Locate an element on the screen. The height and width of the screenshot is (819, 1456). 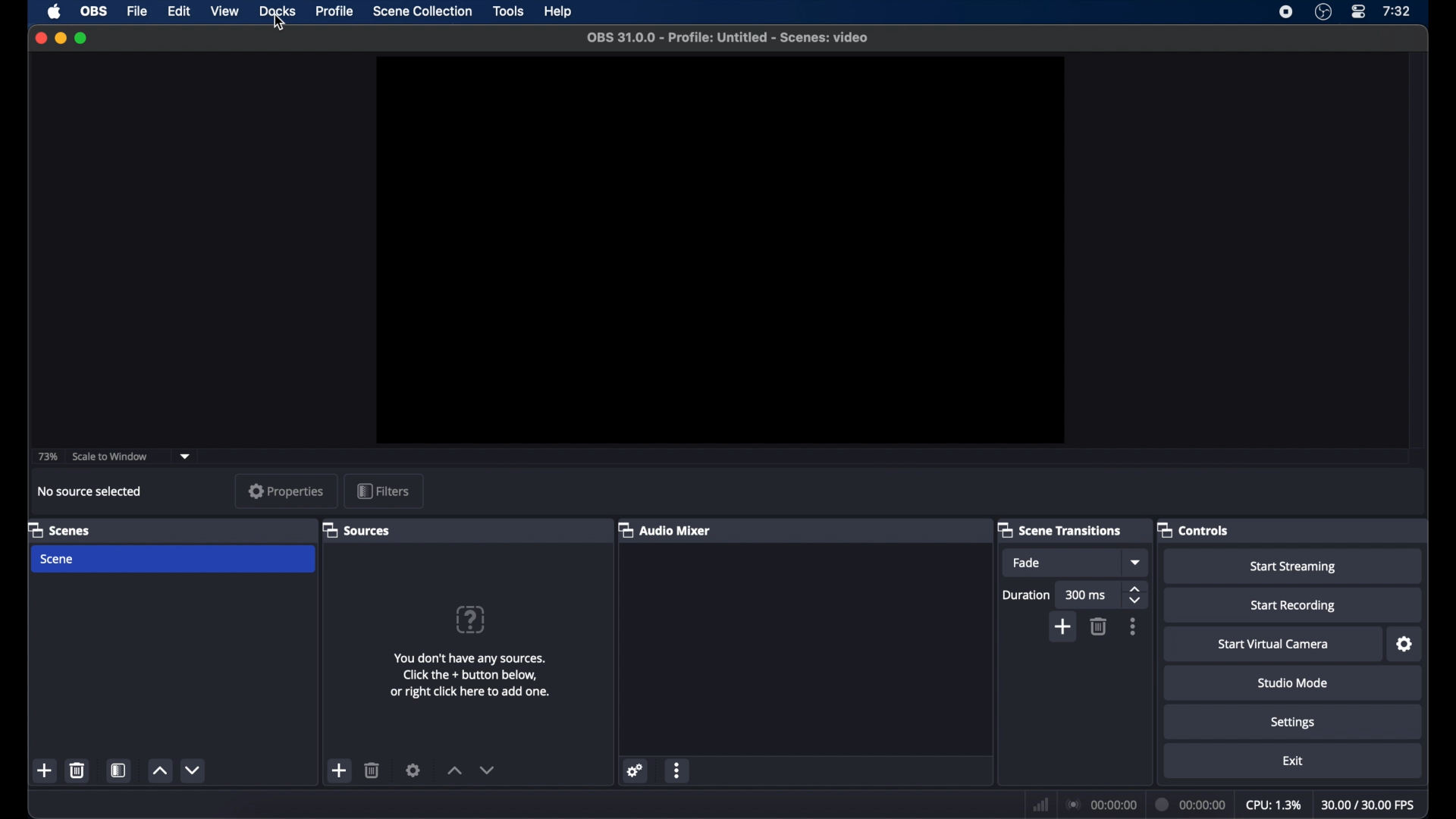
Scene transition dropdown  is located at coordinates (1137, 562).